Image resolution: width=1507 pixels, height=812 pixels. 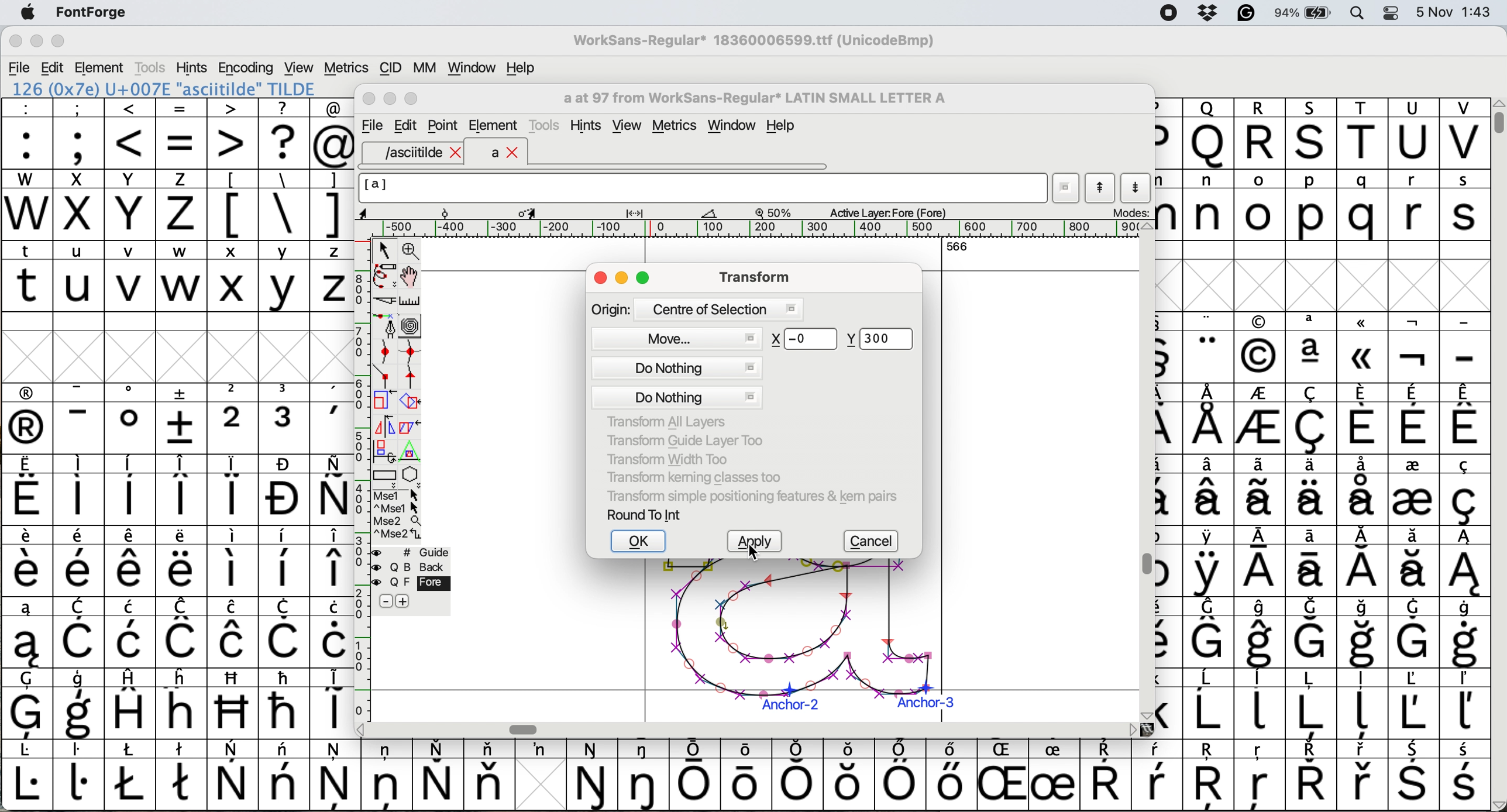 I want to click on Y, so click(x=132, y=205).